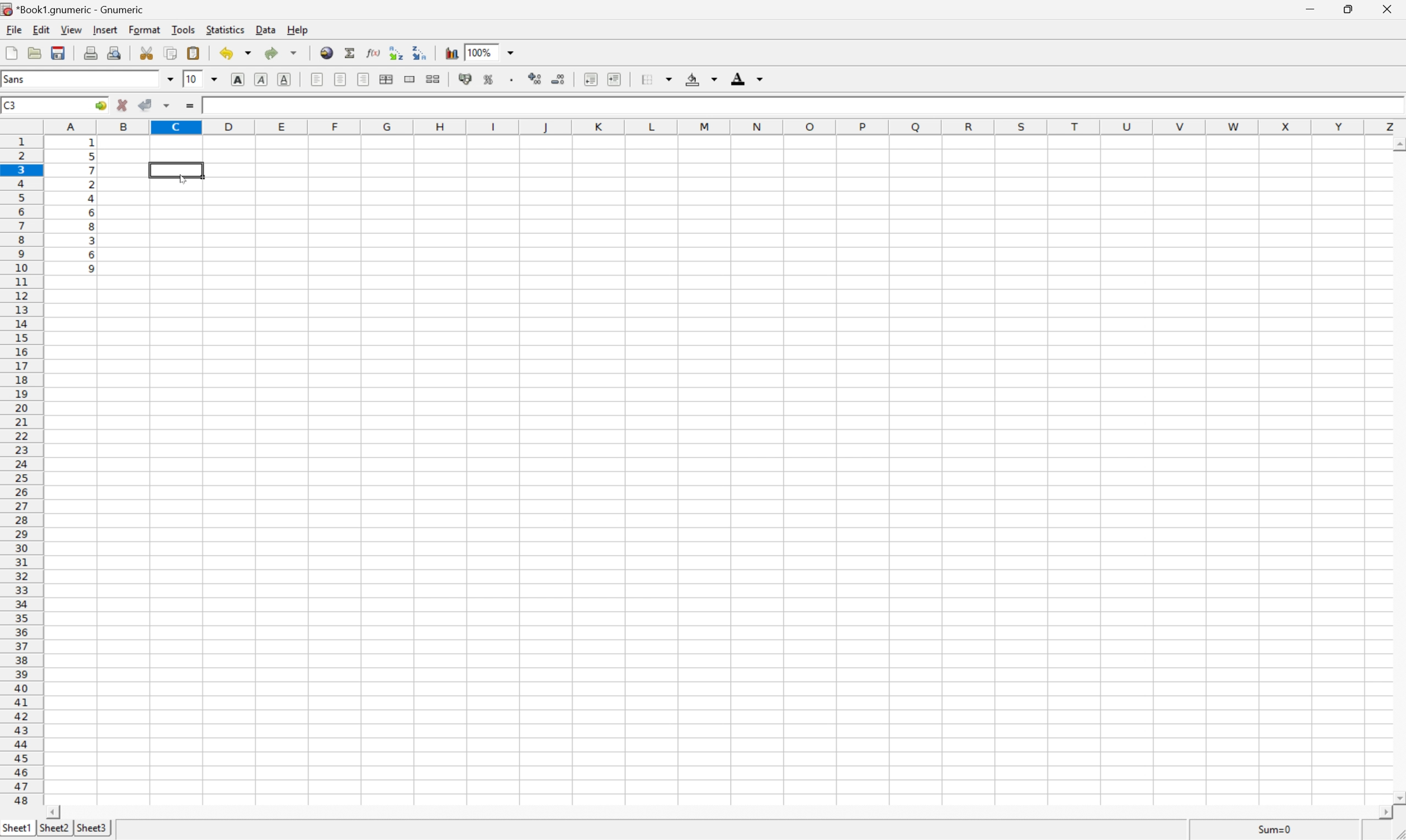  What do you see at coordinates (144, 28) in the screenshot?
I see `format` at bounding box center [144, 28].